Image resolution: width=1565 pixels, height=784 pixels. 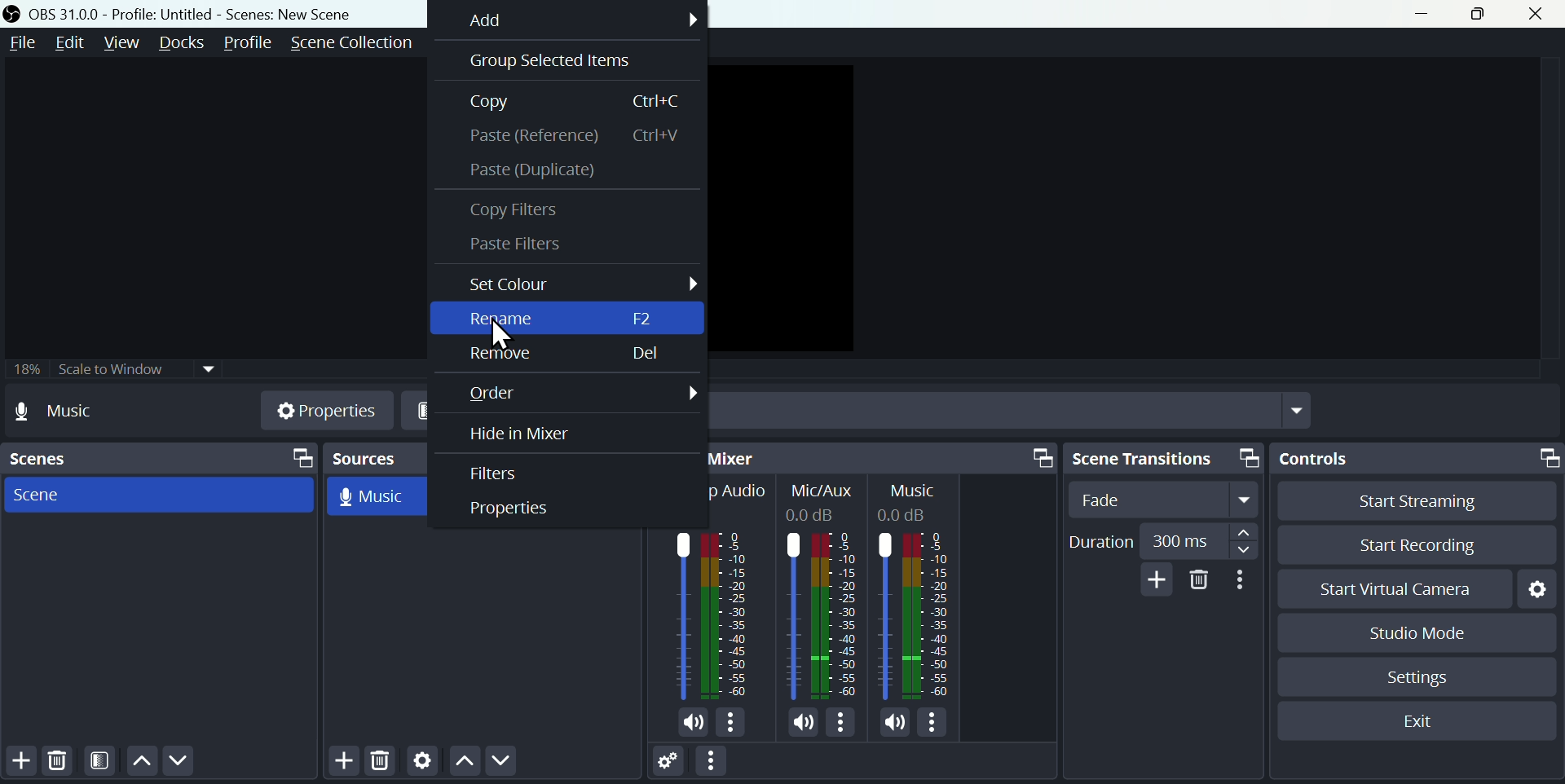 What do you see at coordinates (743, 491) in the screenshot?
I see `` at bounding box center [743, 491].